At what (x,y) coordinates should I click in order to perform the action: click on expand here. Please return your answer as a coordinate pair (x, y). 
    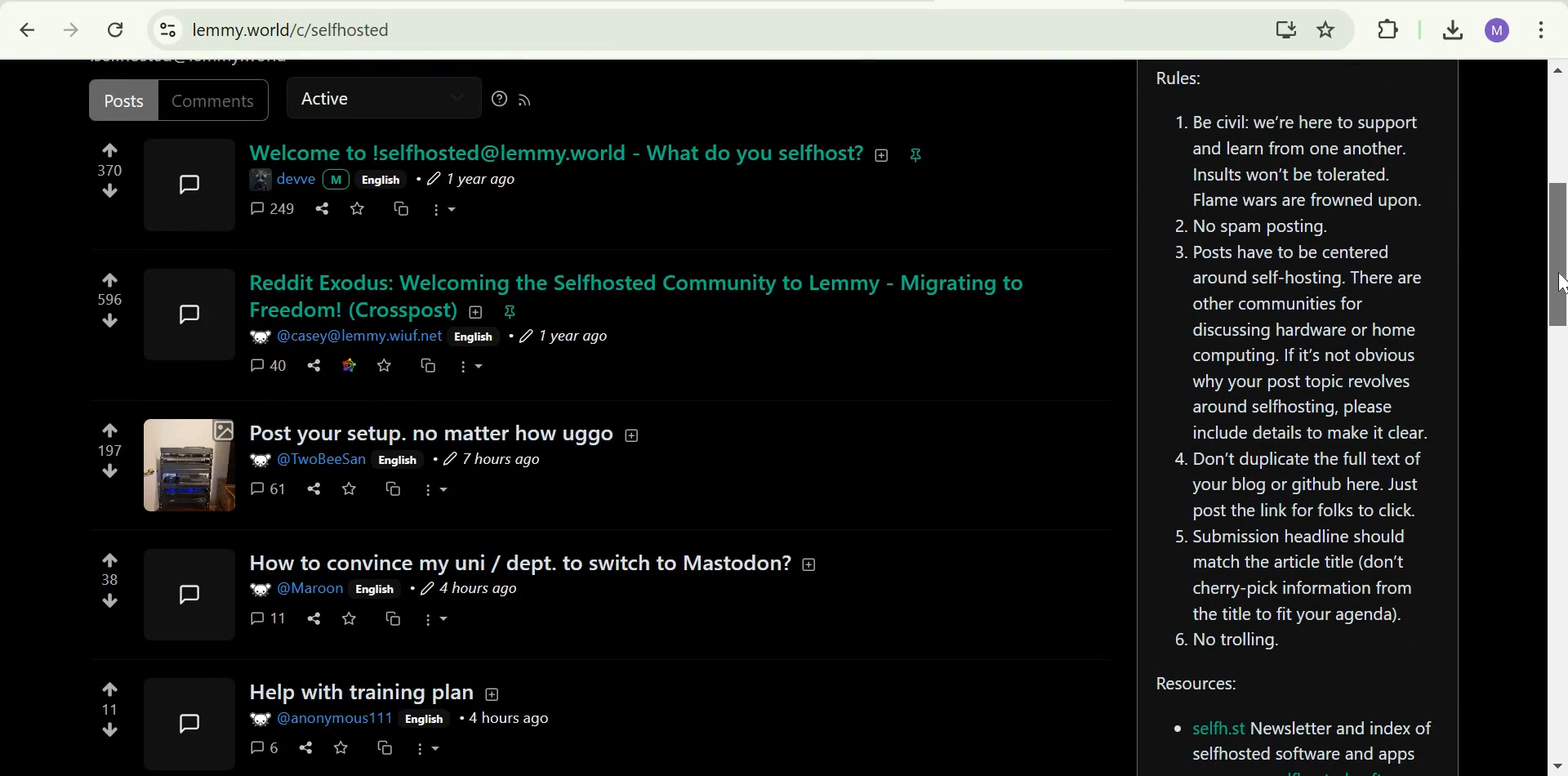
    Looking at the image, I should click on (185, 723).